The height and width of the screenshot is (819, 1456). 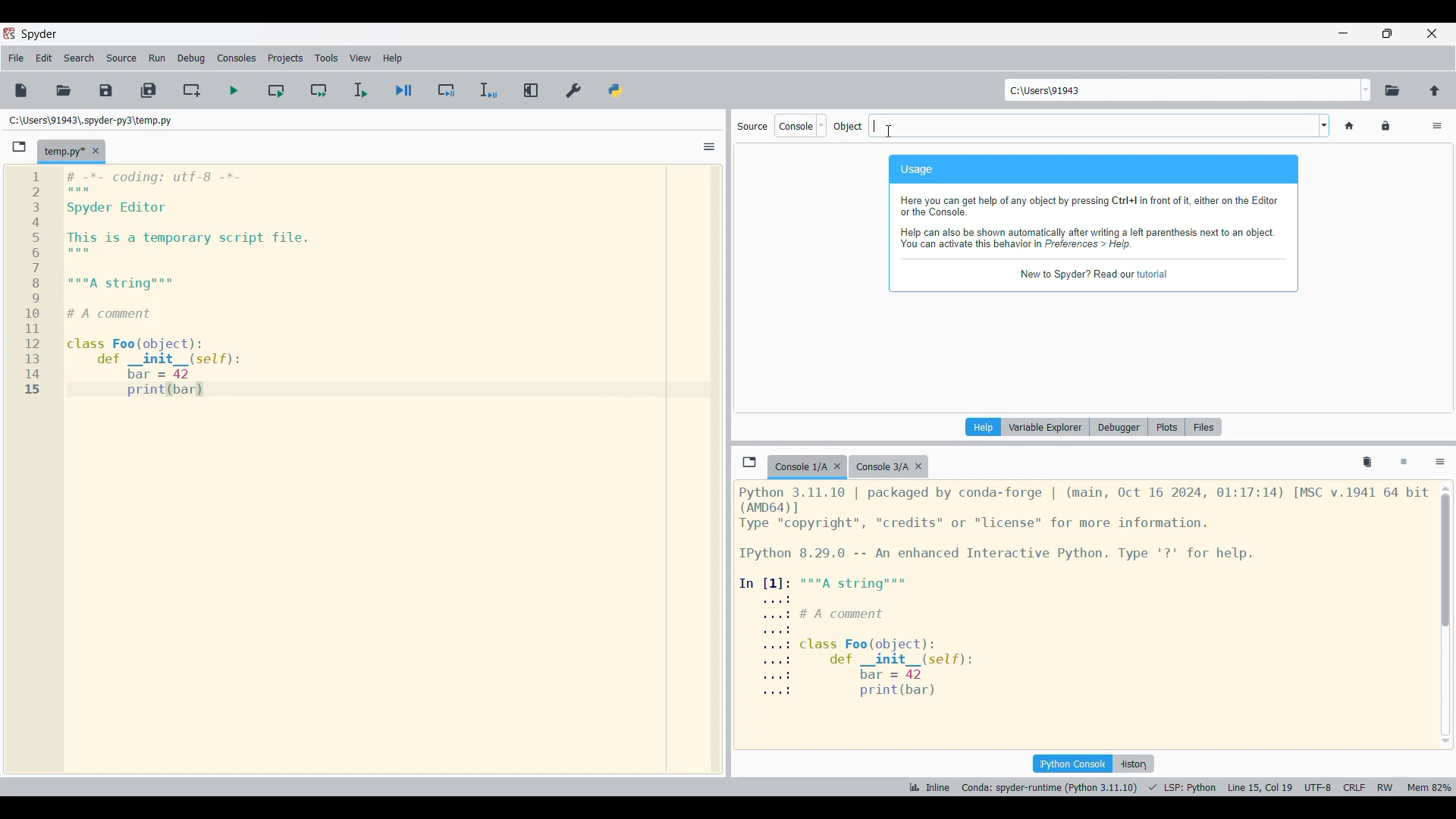 What do you see at coordinates (1393, 90) in the screenshot?
I see `Browse working directory` at bounding box center [1393, 90].